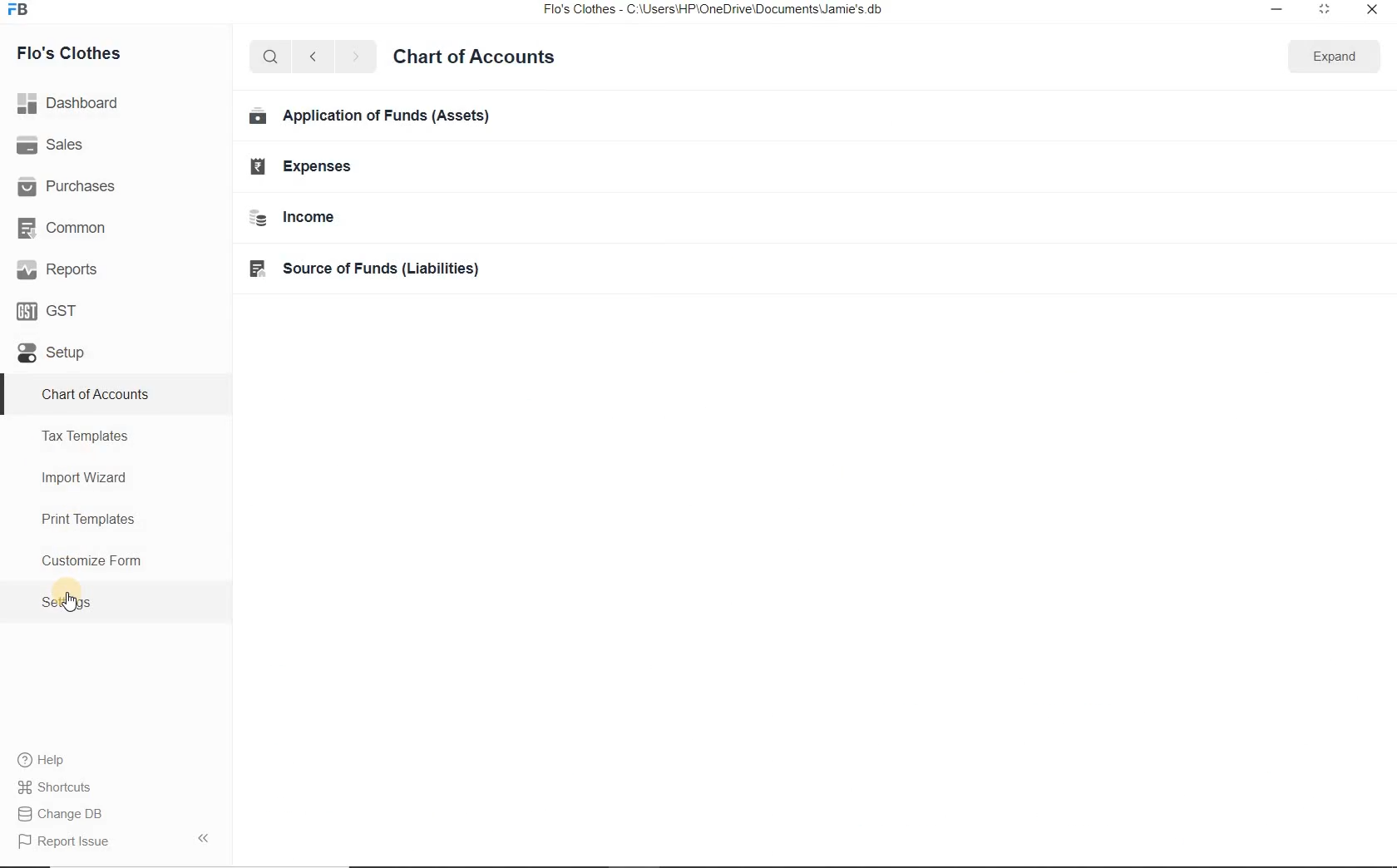  Describe the element at coordinates (69, 103) in the screenshot. I see `Dashboard` at that location.